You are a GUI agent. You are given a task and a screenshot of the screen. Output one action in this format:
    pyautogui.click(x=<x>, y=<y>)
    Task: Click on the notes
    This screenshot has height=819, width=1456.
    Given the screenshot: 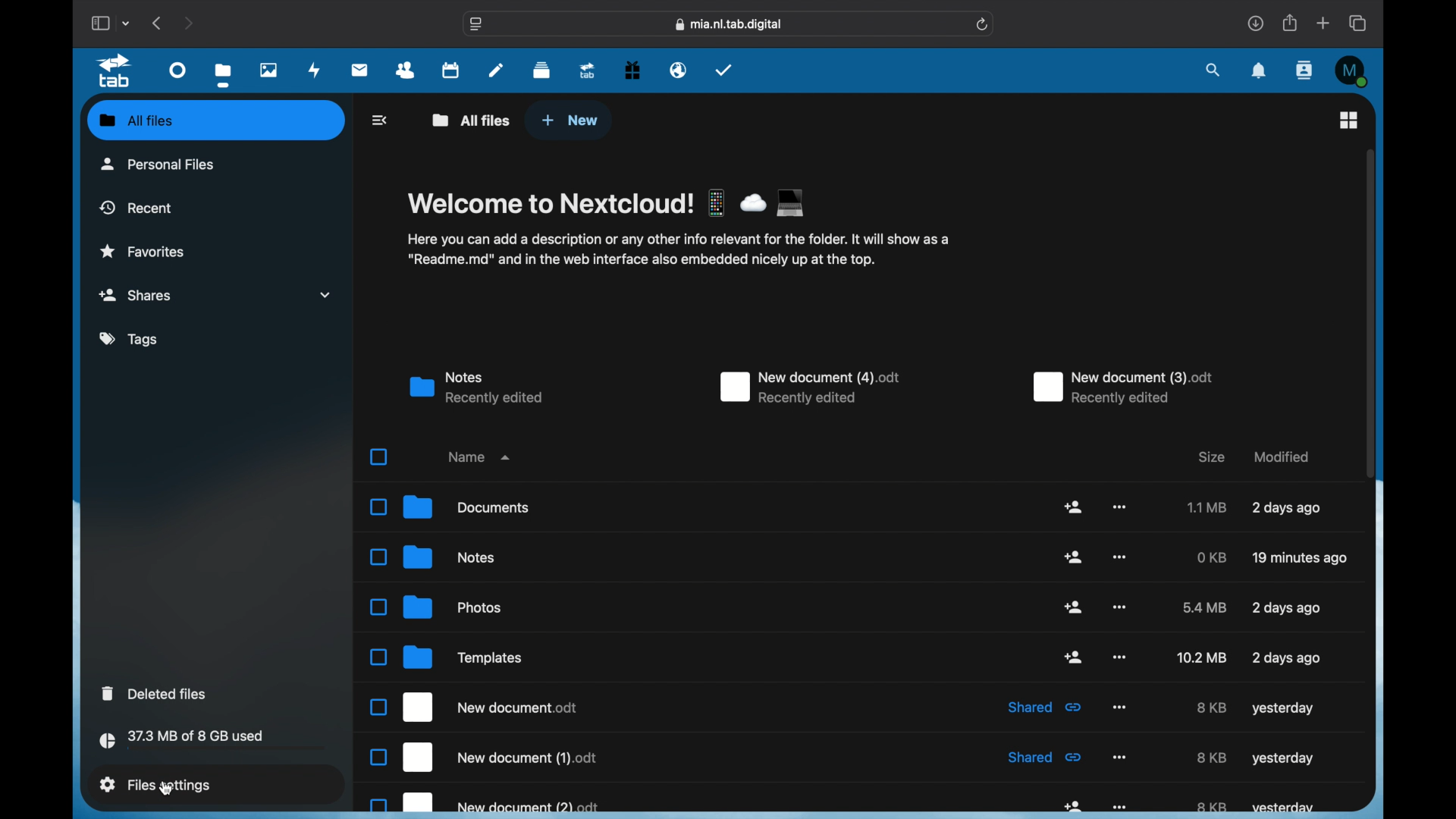 What is the action you would take?
    pyautogui.click(x=476, y=388)
    